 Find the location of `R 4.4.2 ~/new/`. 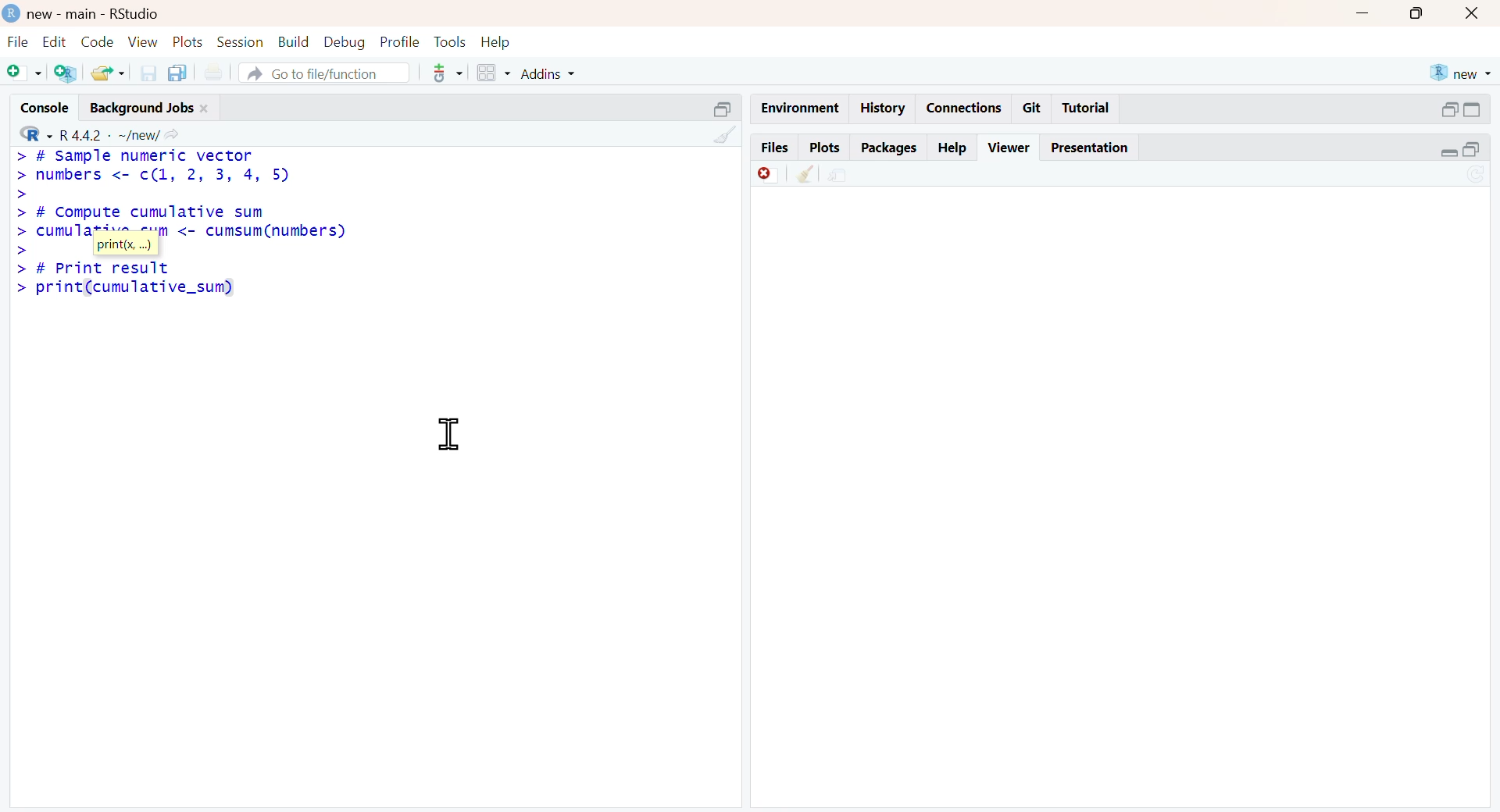

R 4.4.2 ~/new/ is located at coordinates (109, 135).